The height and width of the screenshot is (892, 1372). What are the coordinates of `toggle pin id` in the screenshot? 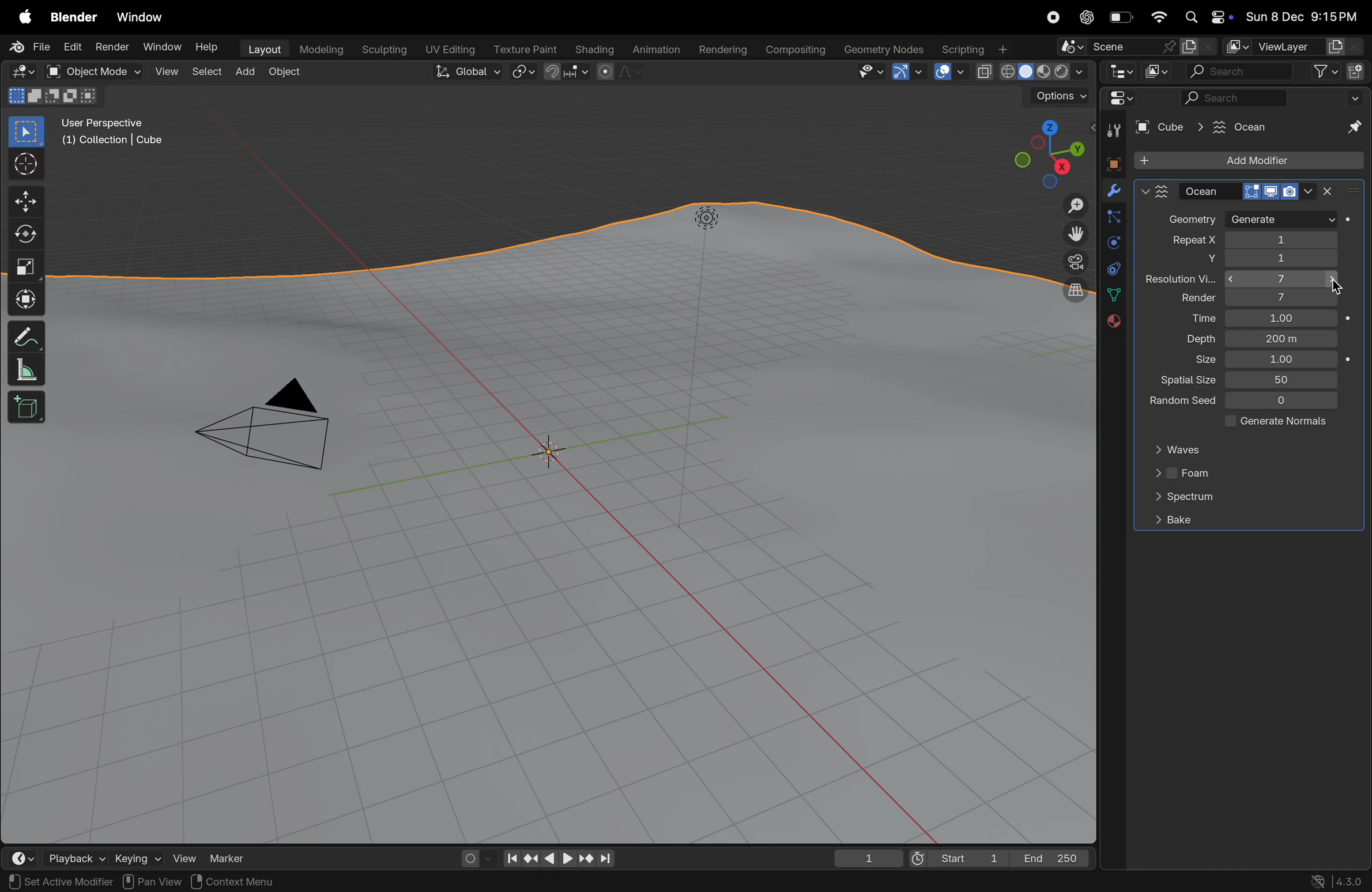 It's located at (1352, 128).